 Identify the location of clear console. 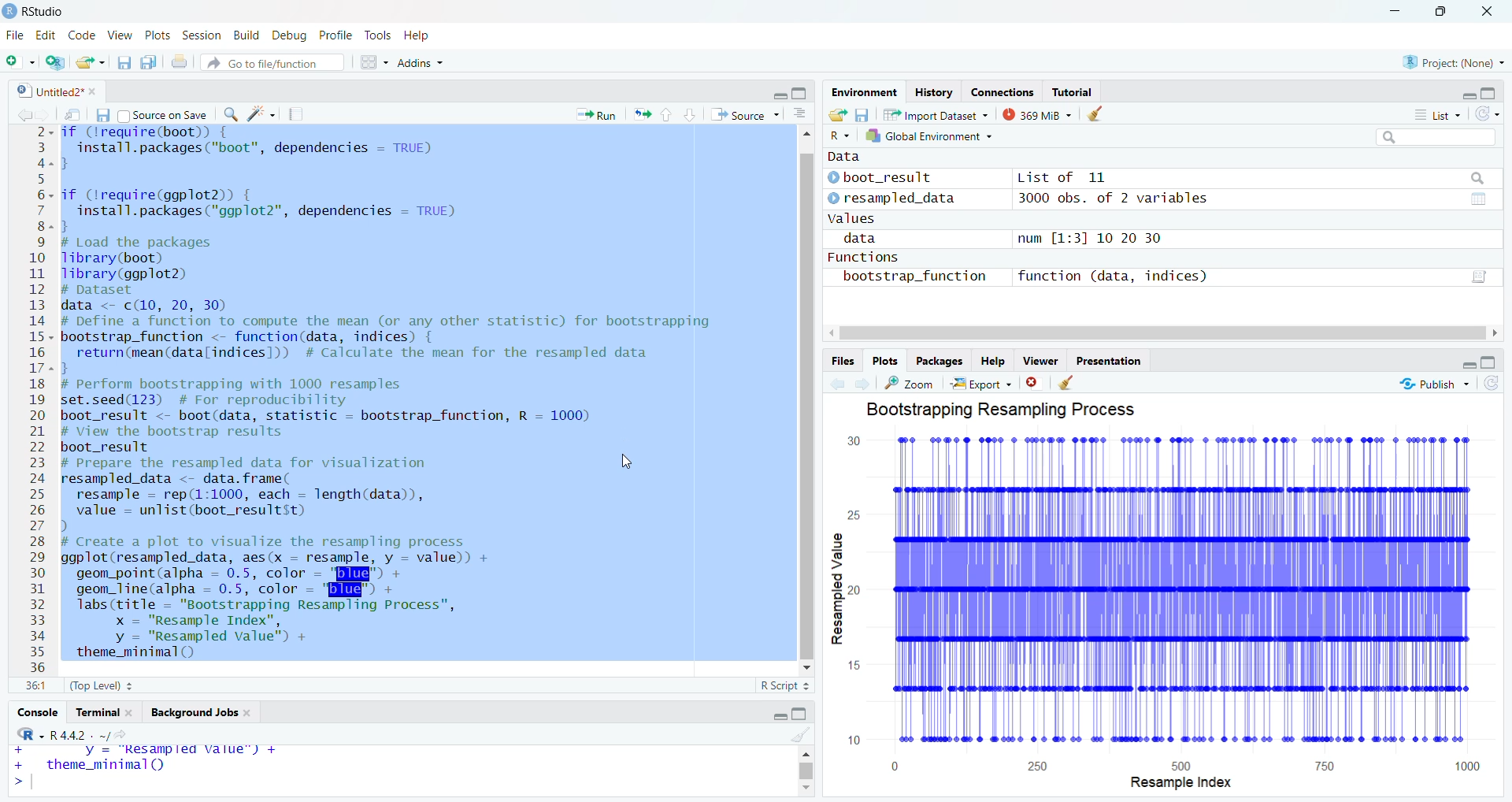
(802, 737).